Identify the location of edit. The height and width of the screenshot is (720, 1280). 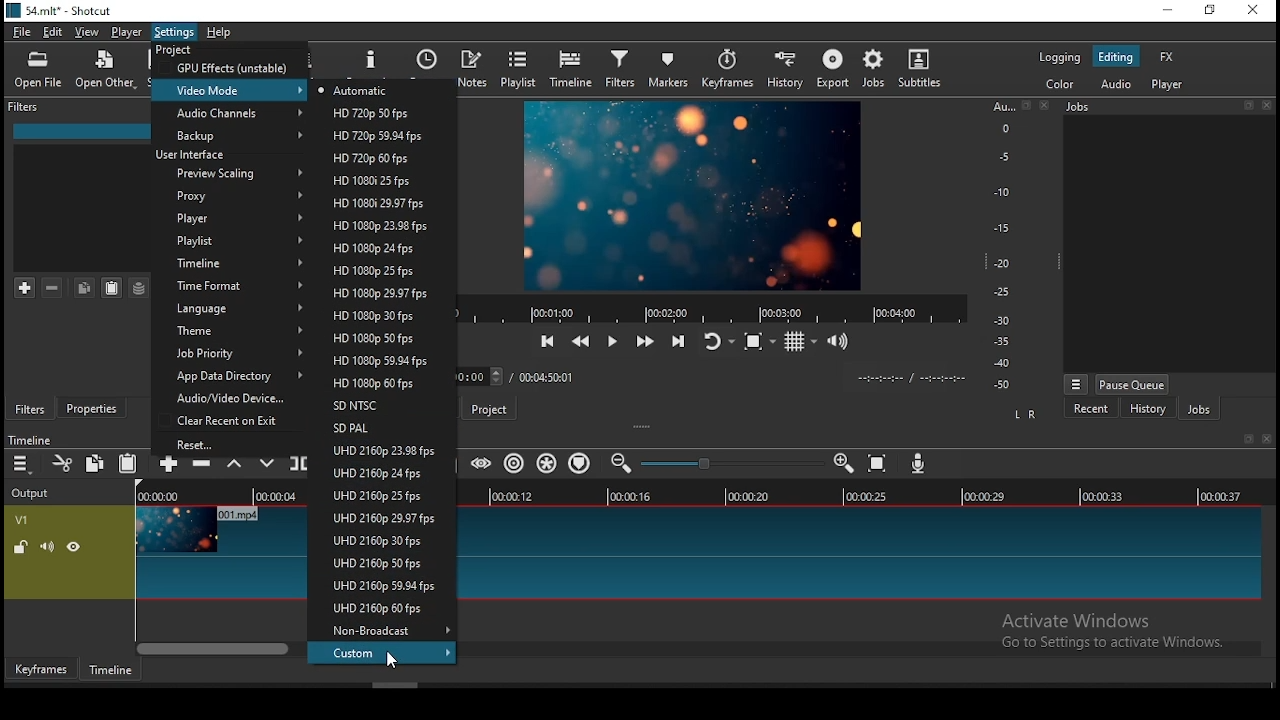
(53, 33).